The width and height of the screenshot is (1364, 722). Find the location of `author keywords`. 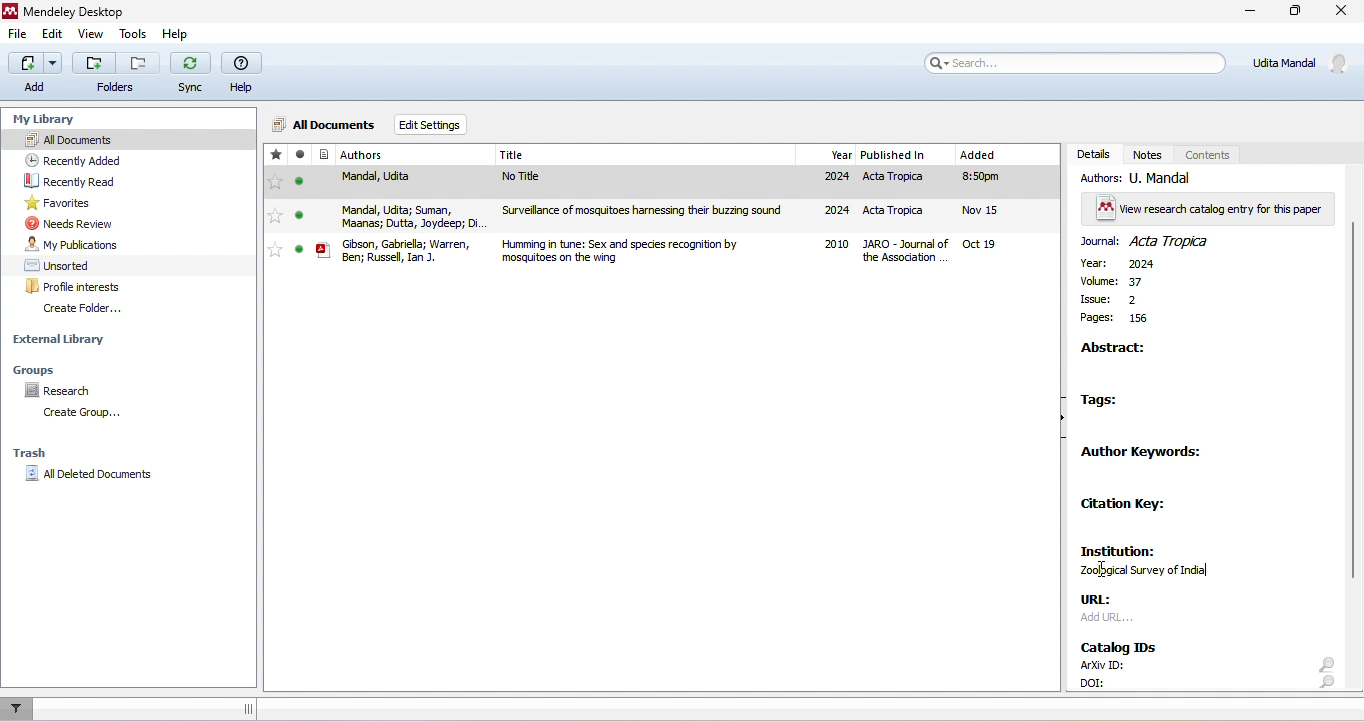

author keywords is located at coordinates (1144, 454).